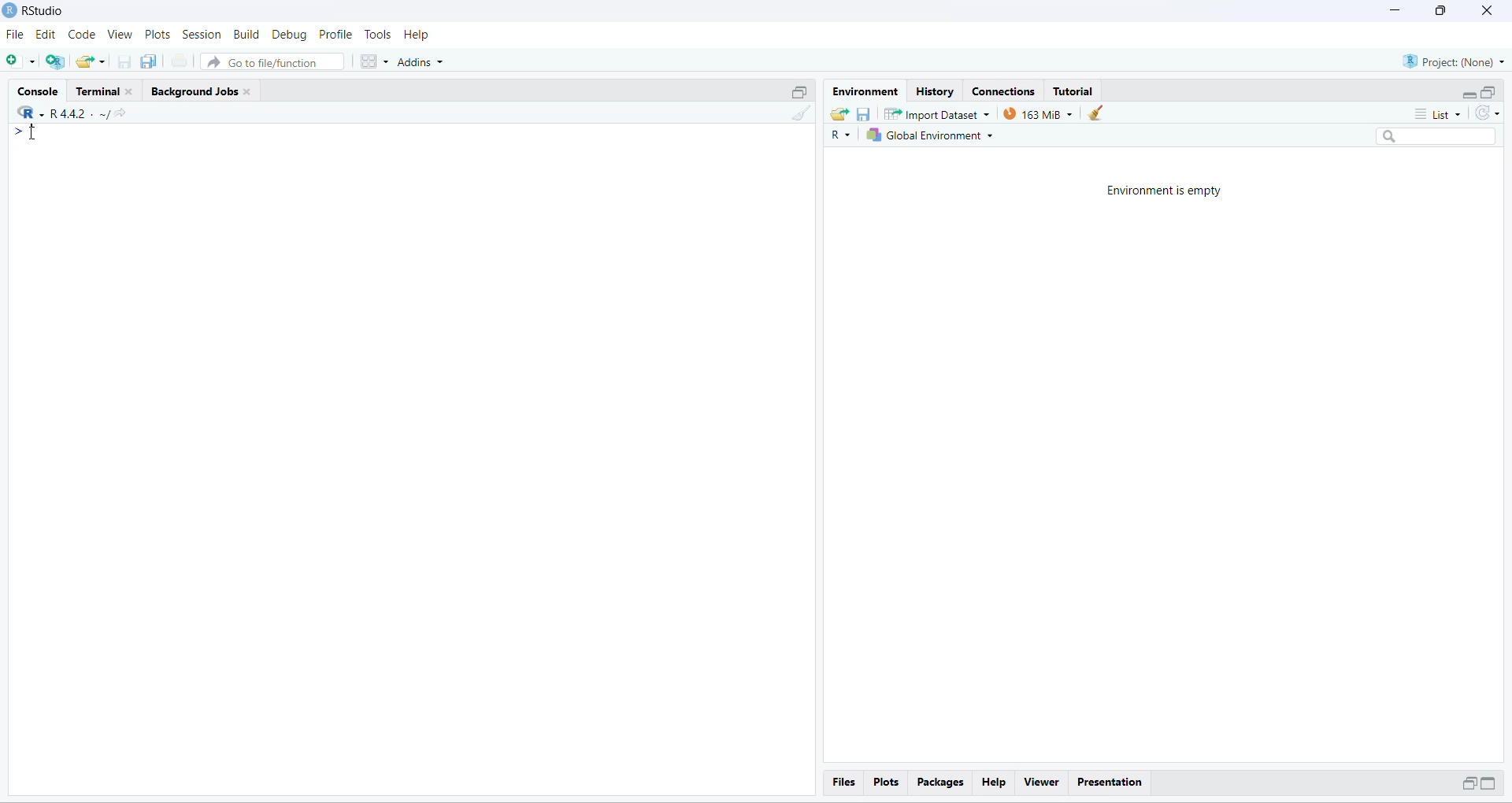 This screenshot has width=1512, height=803. Describe the element at coordinates (1438, 137) in the screenshot. I see `search` at that location.